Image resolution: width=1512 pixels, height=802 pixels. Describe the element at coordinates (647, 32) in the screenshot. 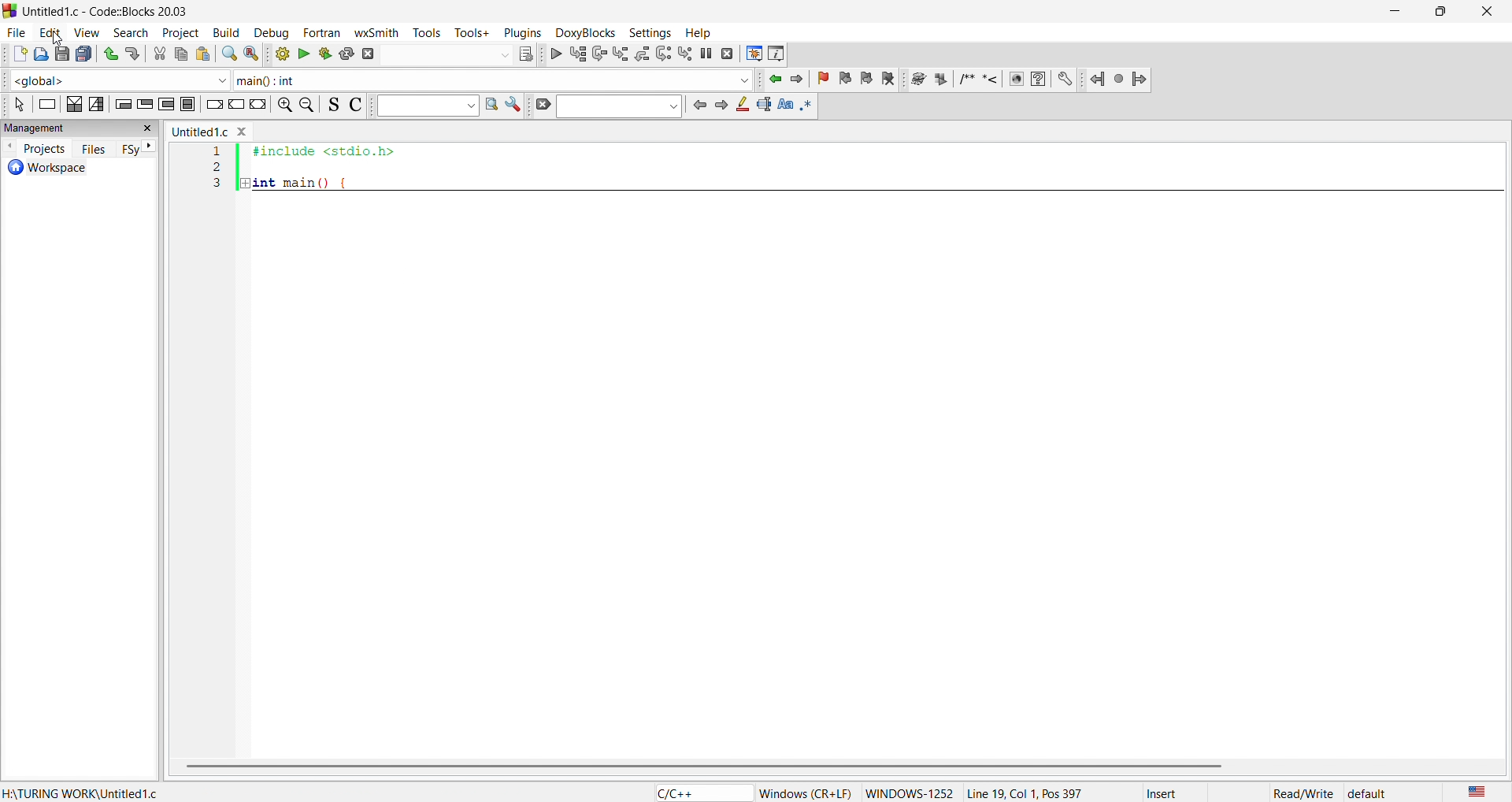

I see `setting` at that location.